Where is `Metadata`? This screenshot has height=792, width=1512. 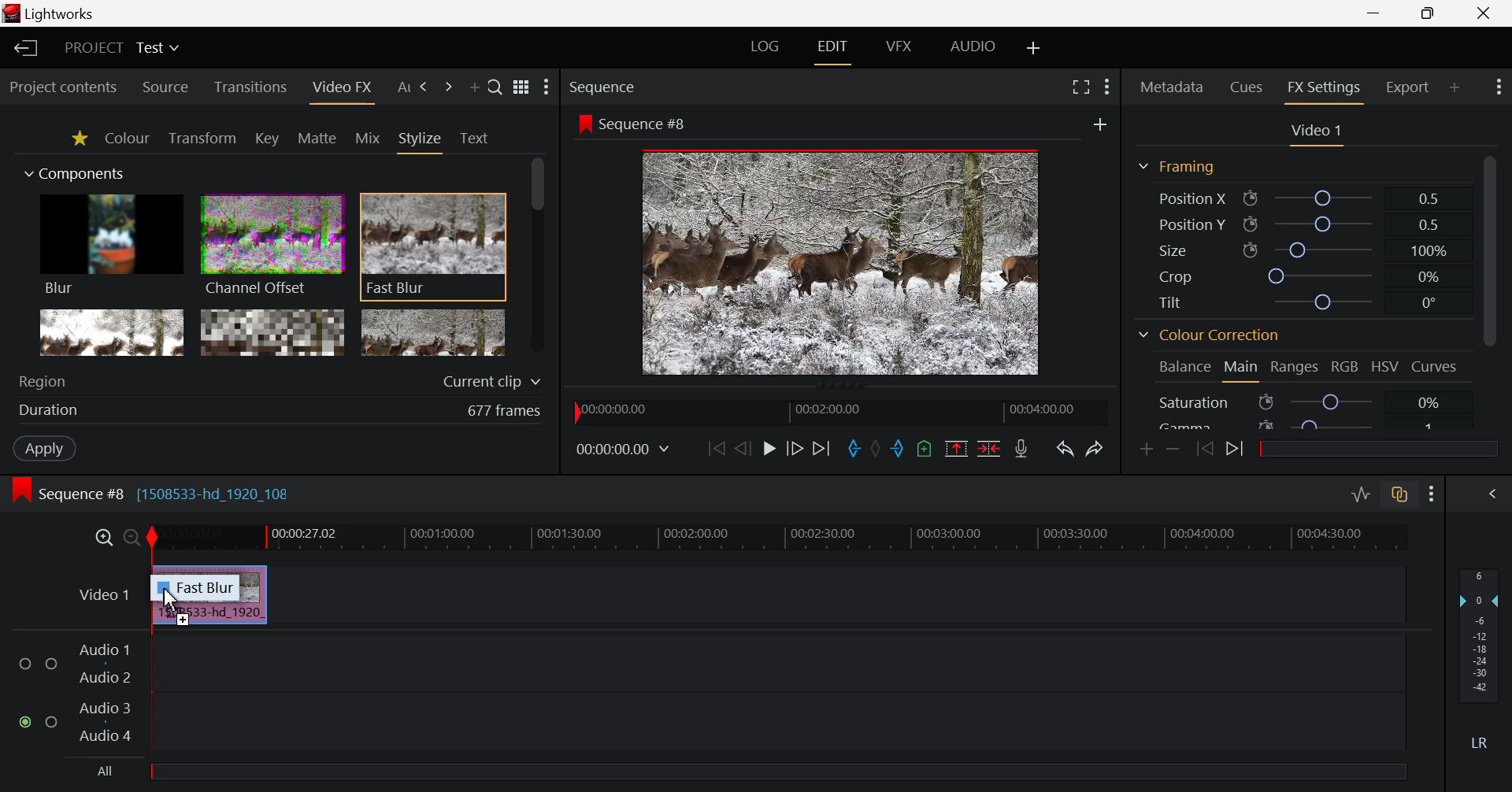
Metadata is located at coordinates (1171, 89).